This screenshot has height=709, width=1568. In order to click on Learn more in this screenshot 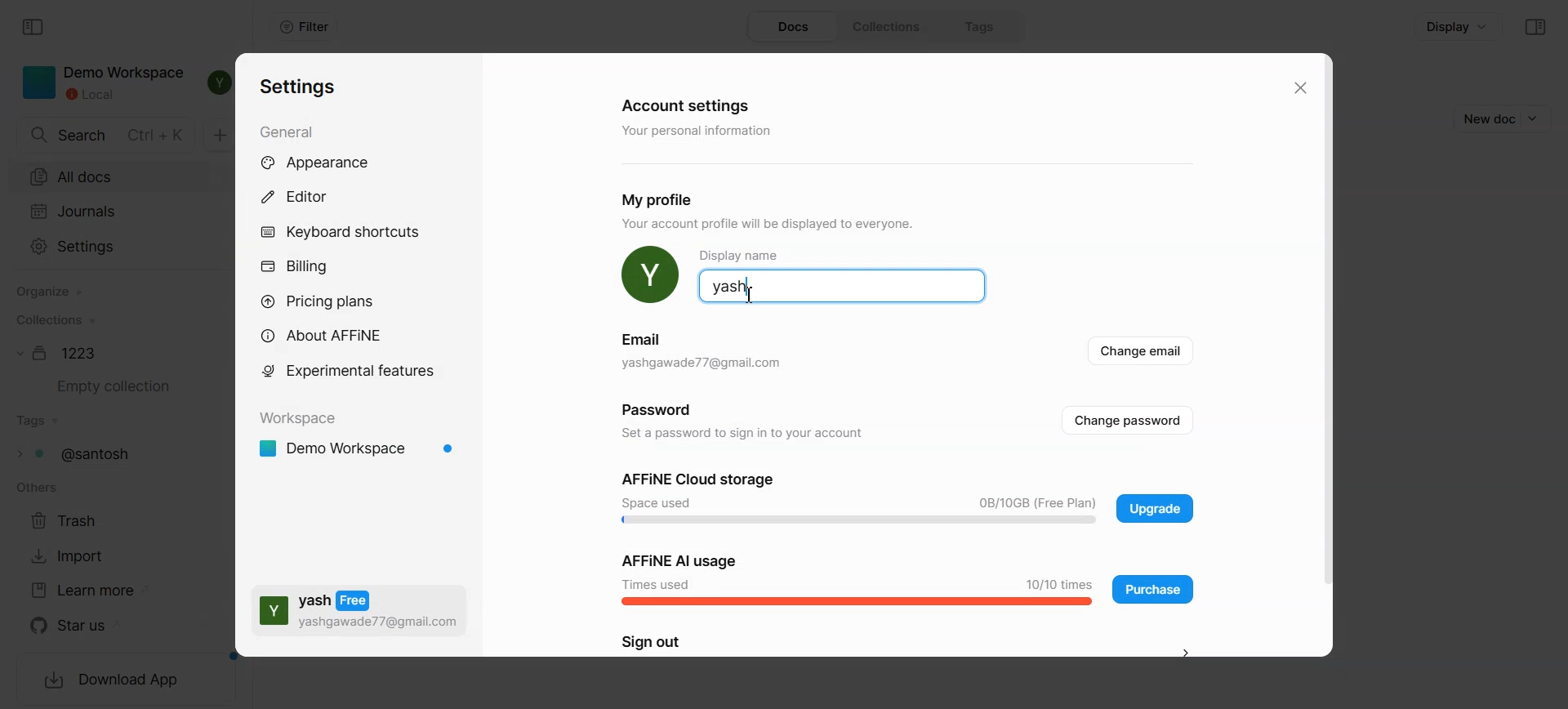, I will do `click(90, 591)`.